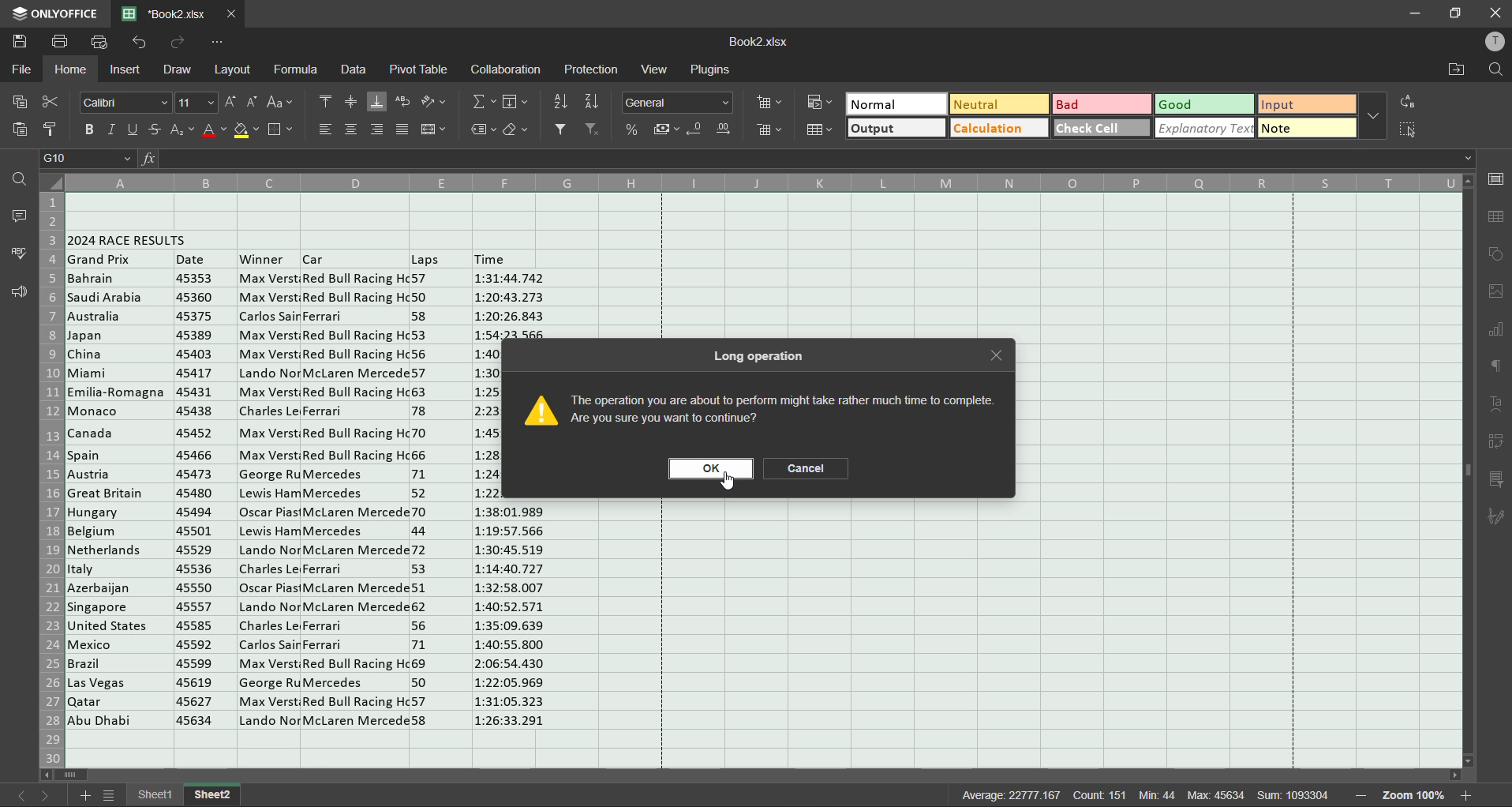  I want to click on grand prix, so click(100, 259).